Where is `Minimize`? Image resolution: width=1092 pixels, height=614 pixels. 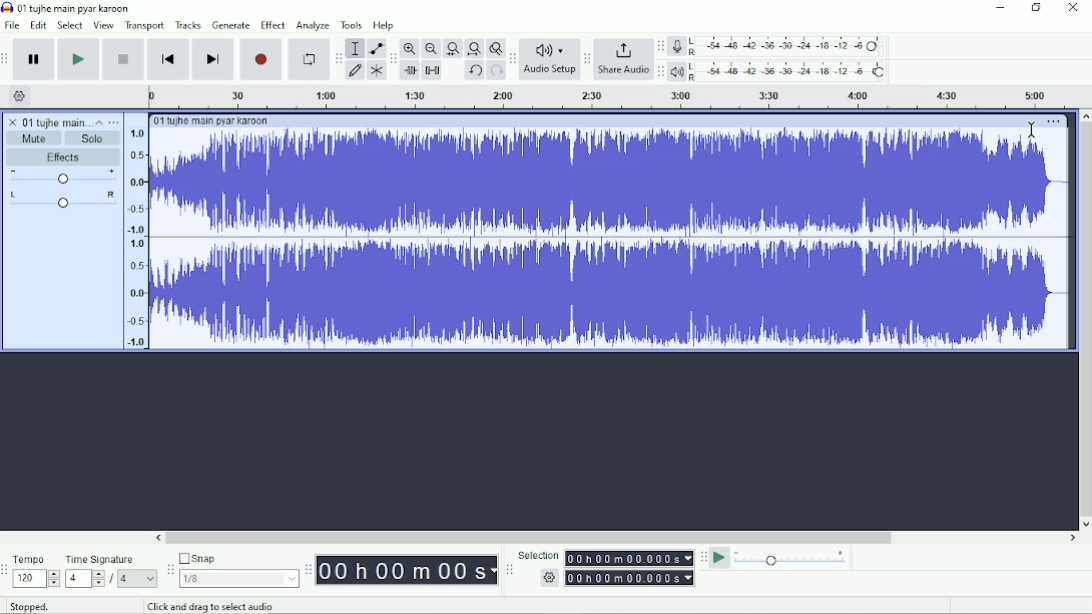 Minimize is located at coordinates (1001, 7).